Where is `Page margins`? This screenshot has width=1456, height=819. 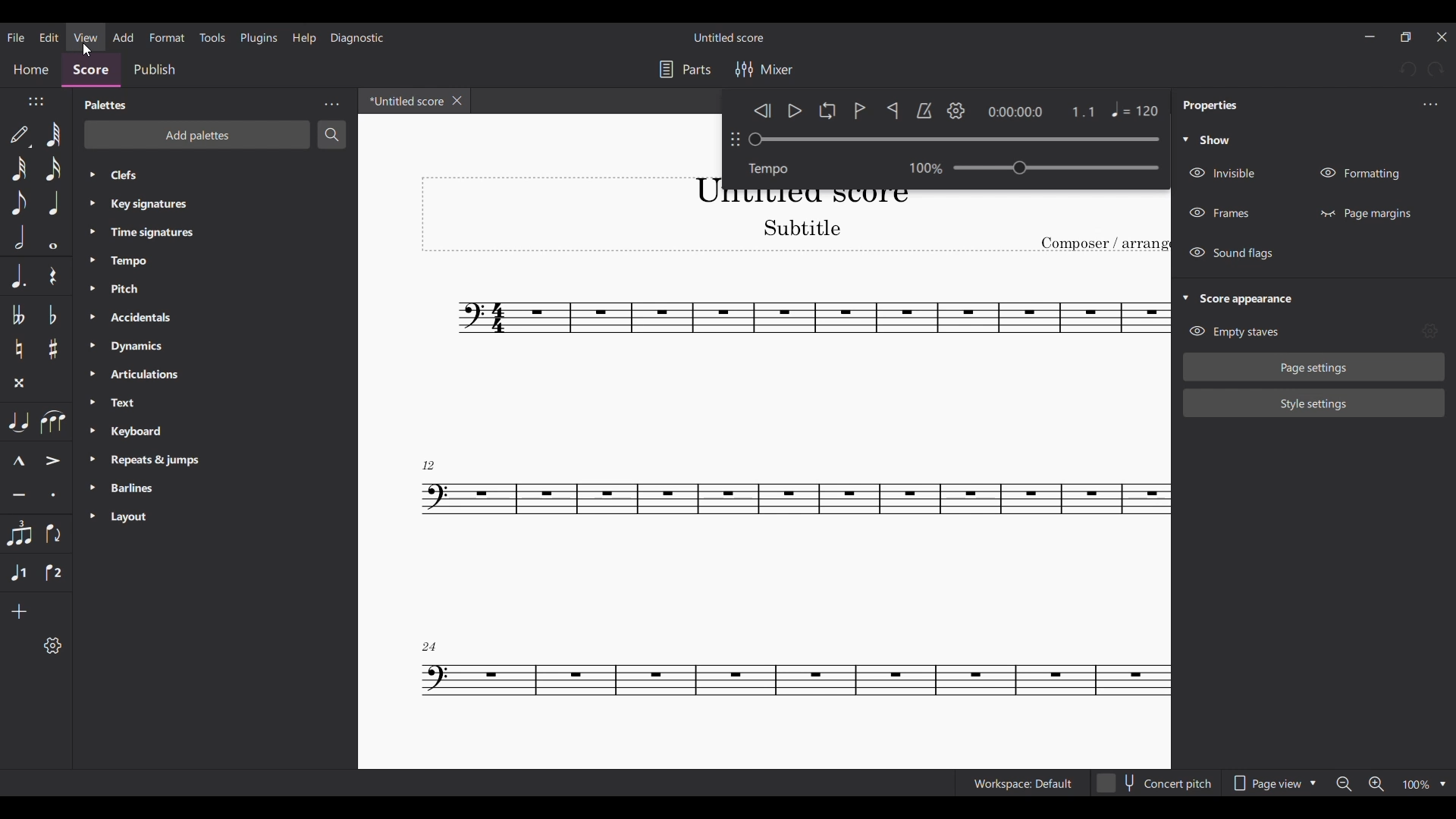
Page margins is located at coordinates (1365, 213).